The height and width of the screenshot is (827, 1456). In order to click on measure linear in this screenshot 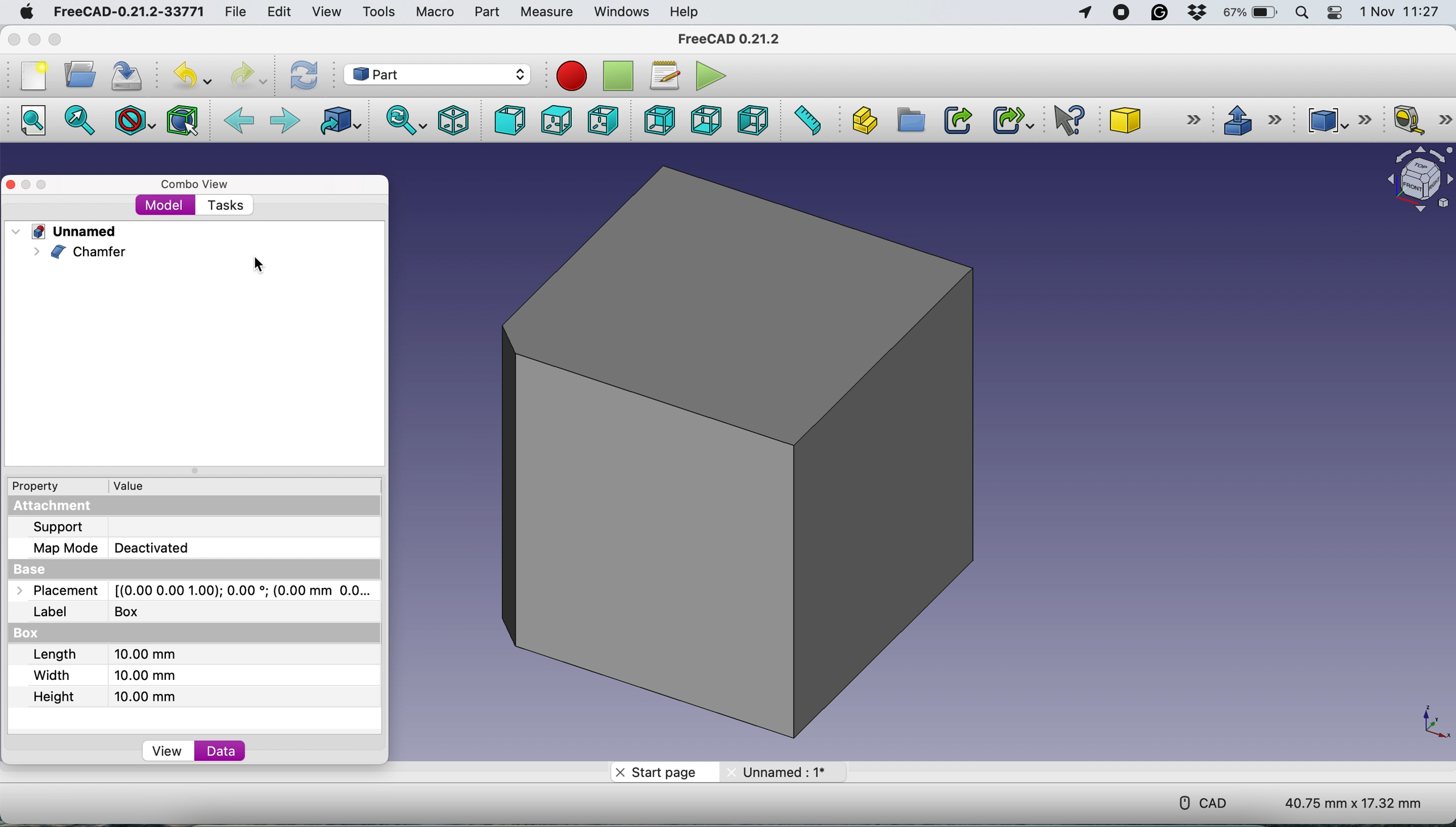, I will do `click(1422, 119)`.